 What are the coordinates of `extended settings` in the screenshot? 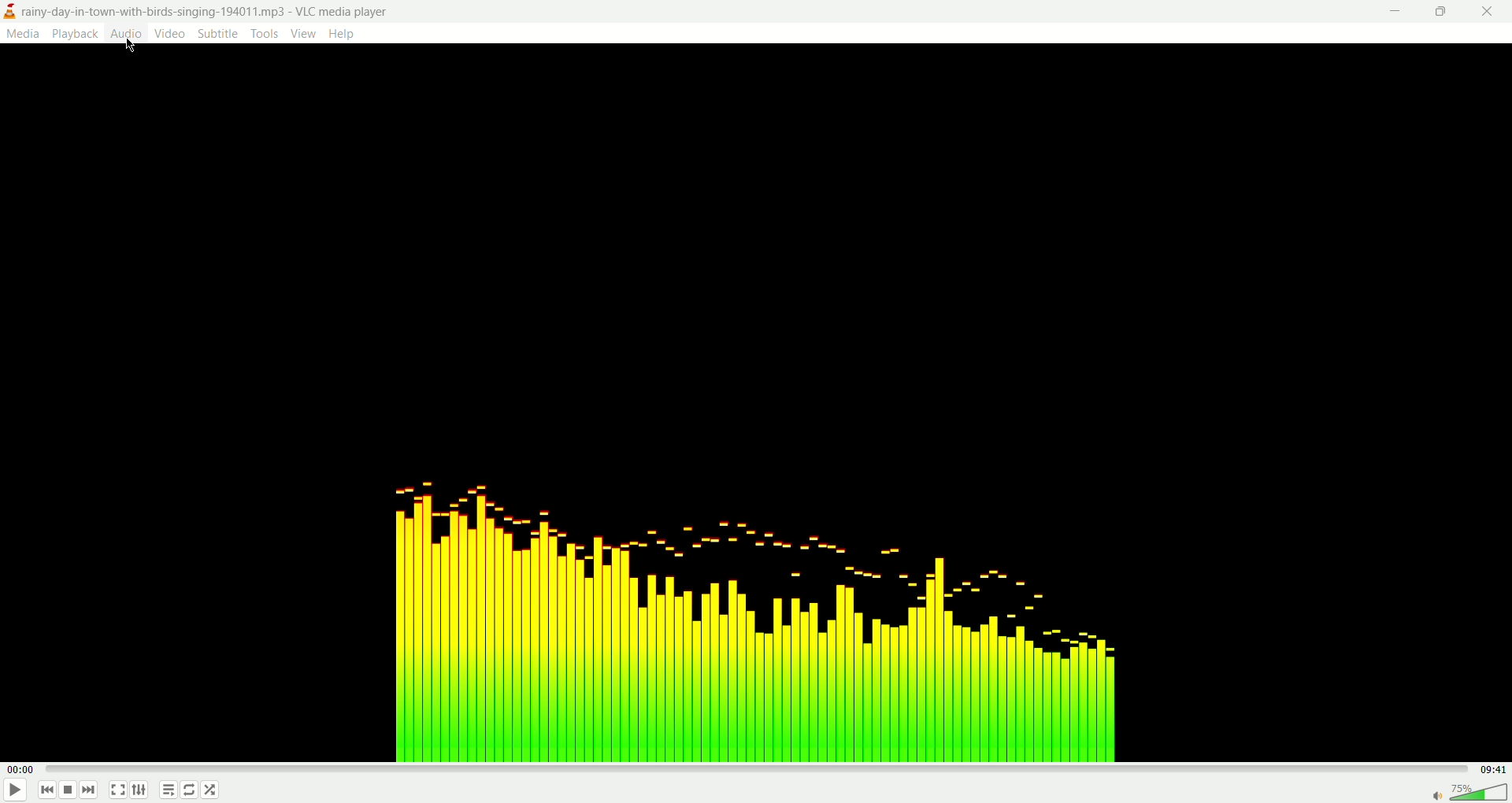 It's located at (143, 790).